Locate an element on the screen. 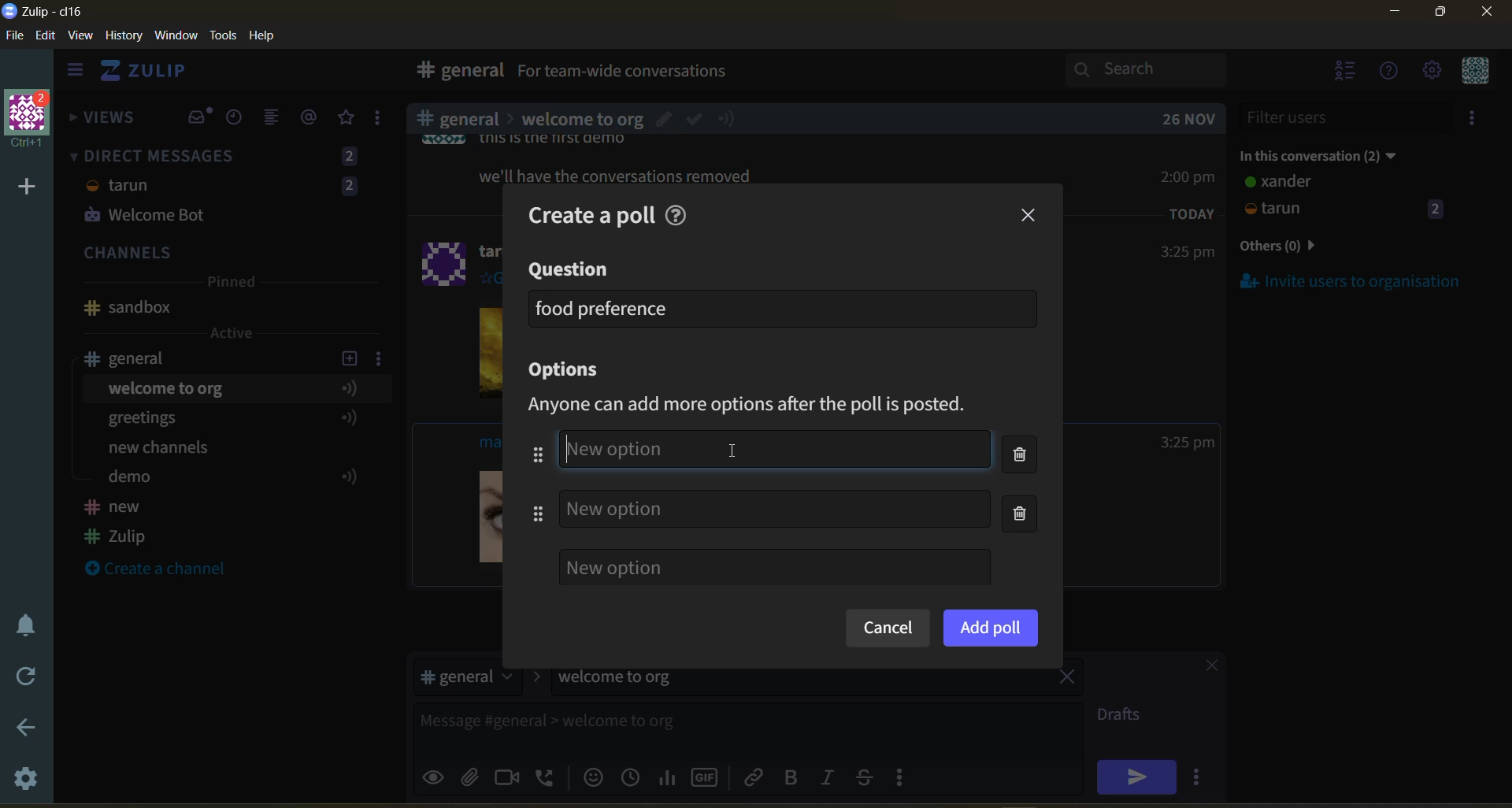 This screenshot has height=808, width=1512. direct messages is located at coordinates (228, 188).